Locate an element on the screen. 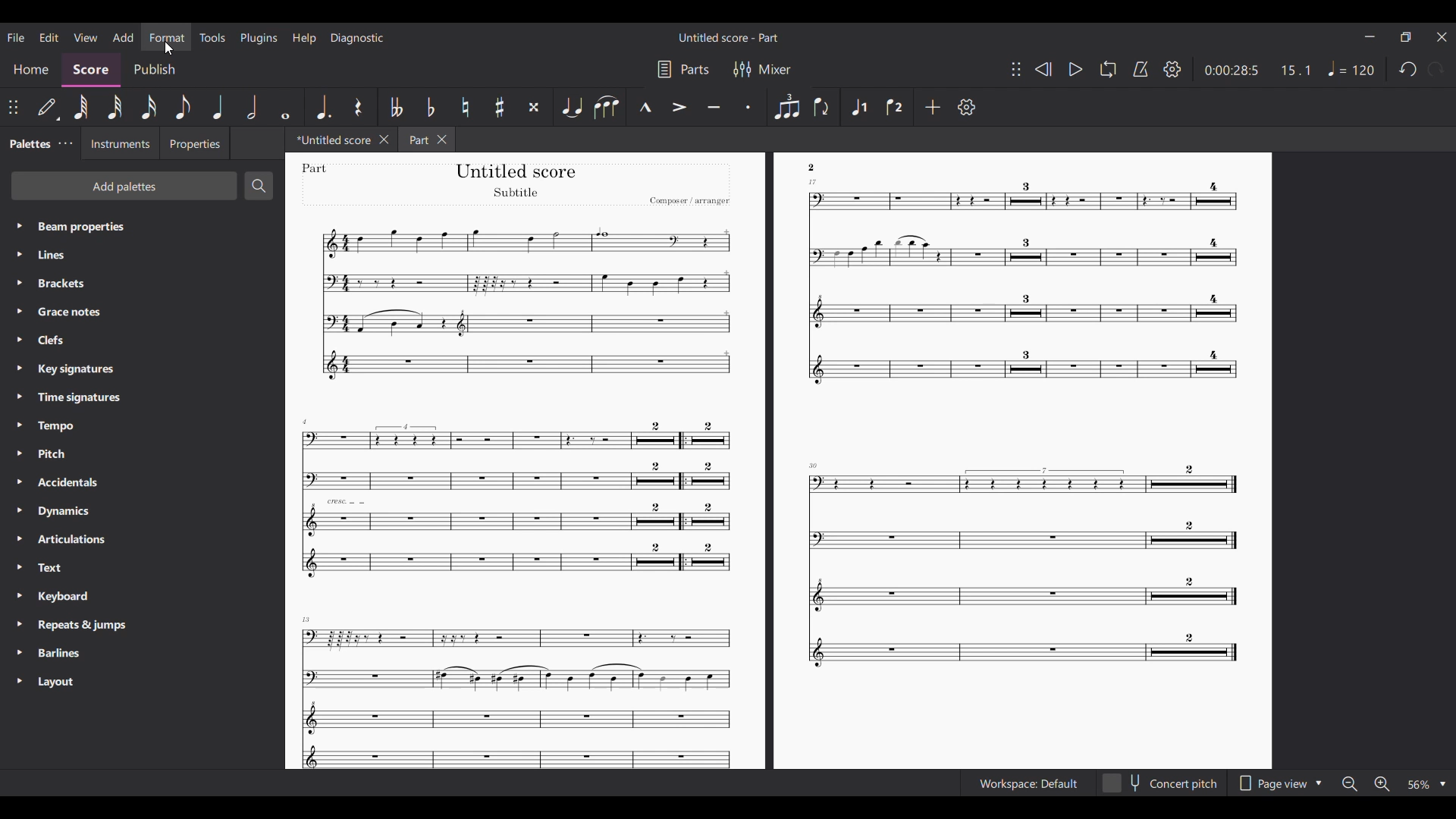  File menu is located at coordinates (15, 37).